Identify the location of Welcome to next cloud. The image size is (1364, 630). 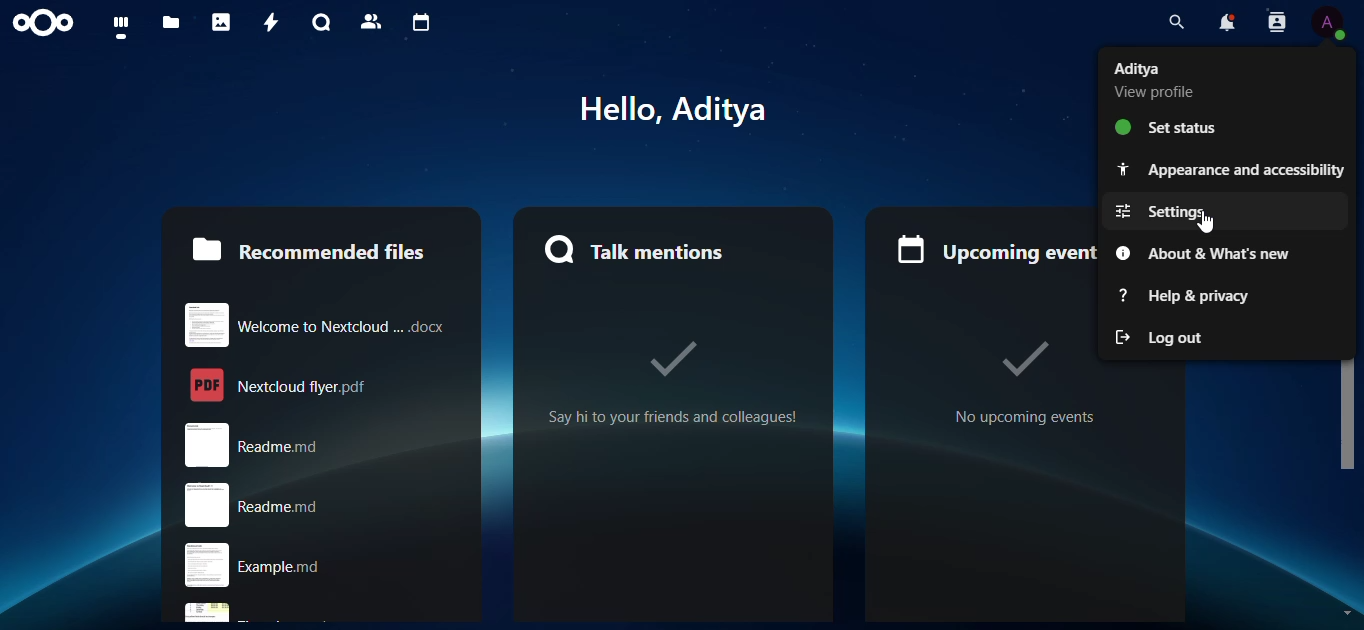
(317, 321).